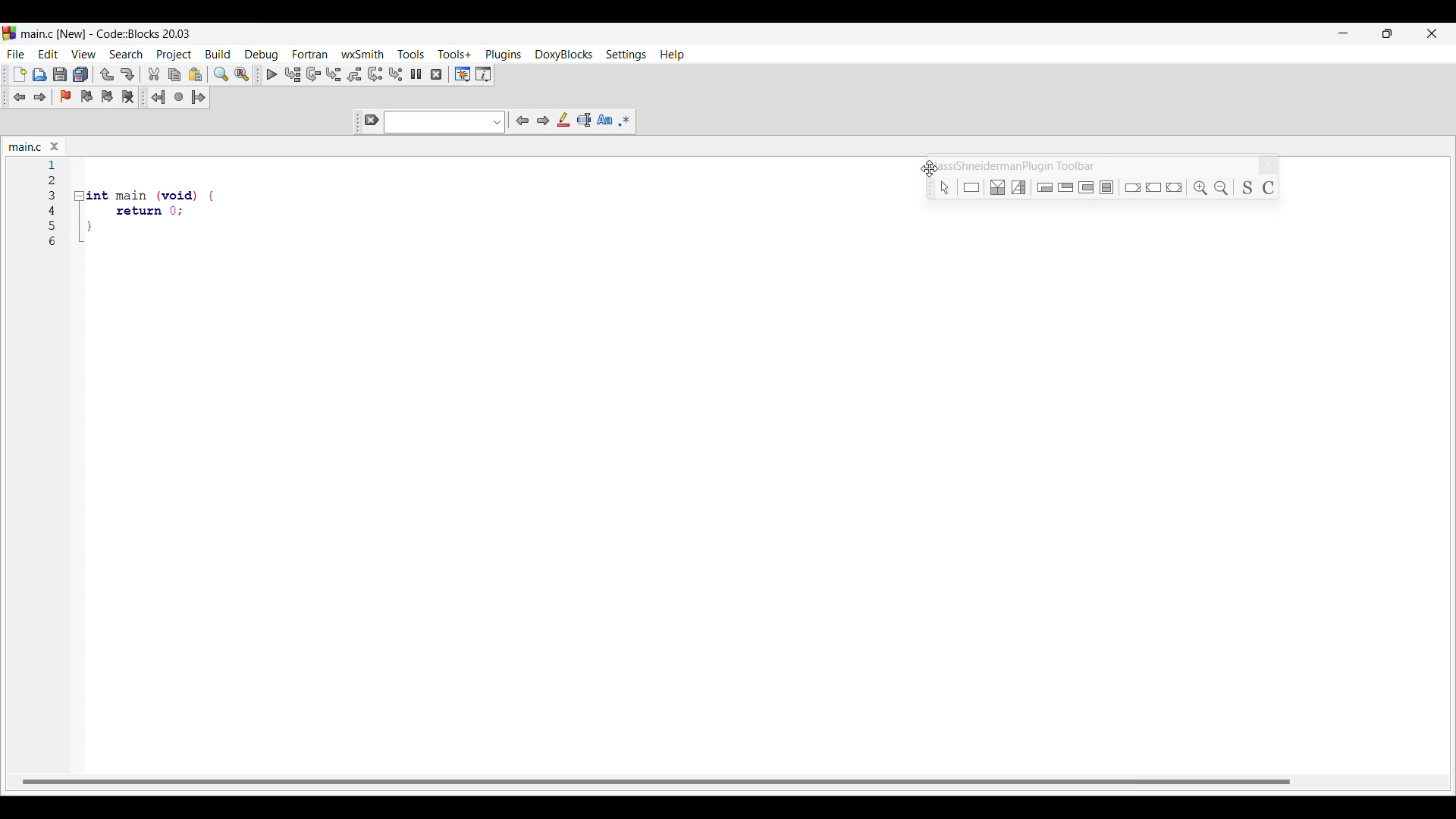 The image size is (1456, 819). Describe the element at coordinates (84, 54) in the screenshot. I see `View menu` at that location.